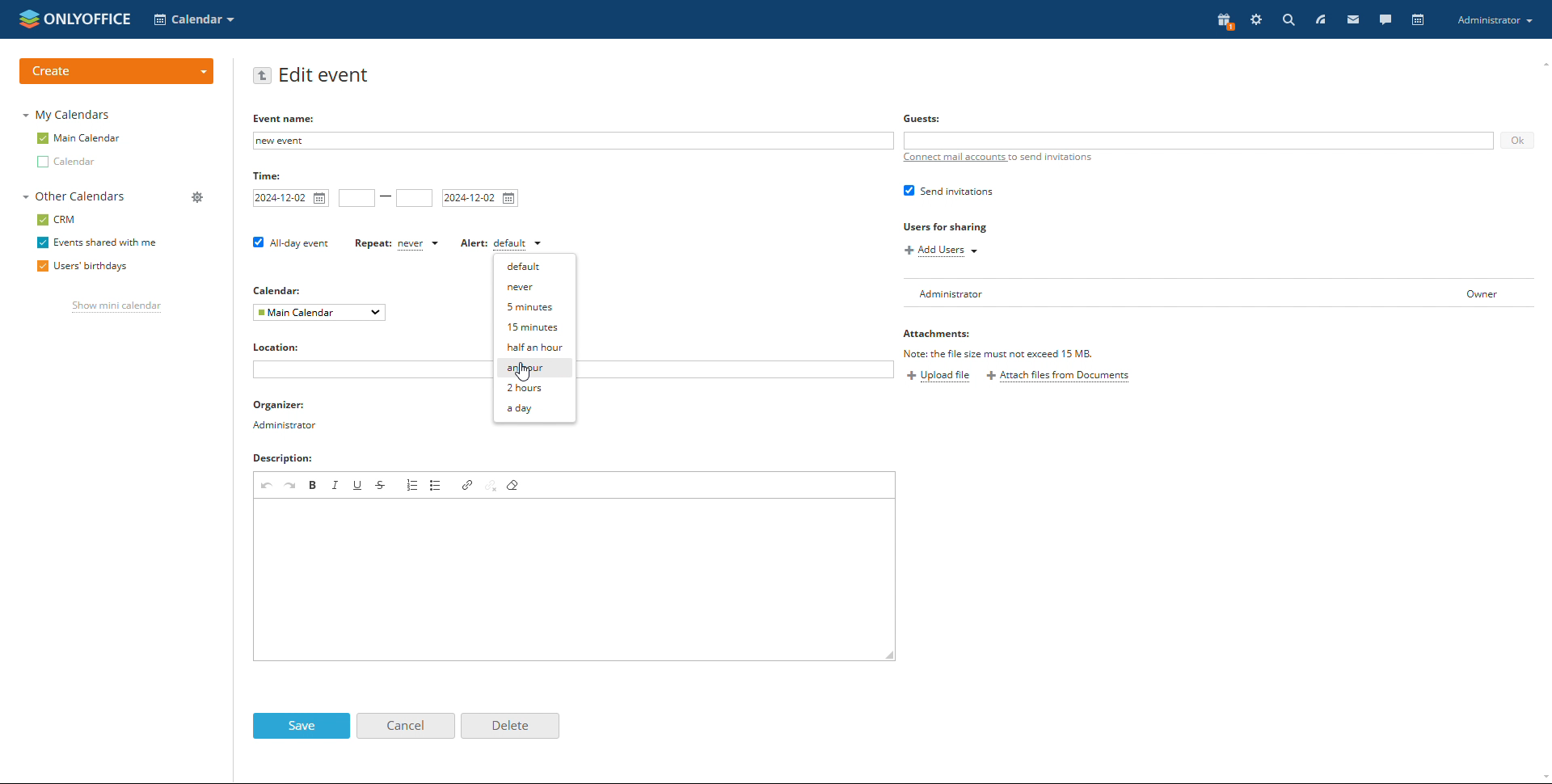  What do you see at coordinates (381, 484) in the screenshot?
I see `strikethrough` at bounding box center [381, 484].